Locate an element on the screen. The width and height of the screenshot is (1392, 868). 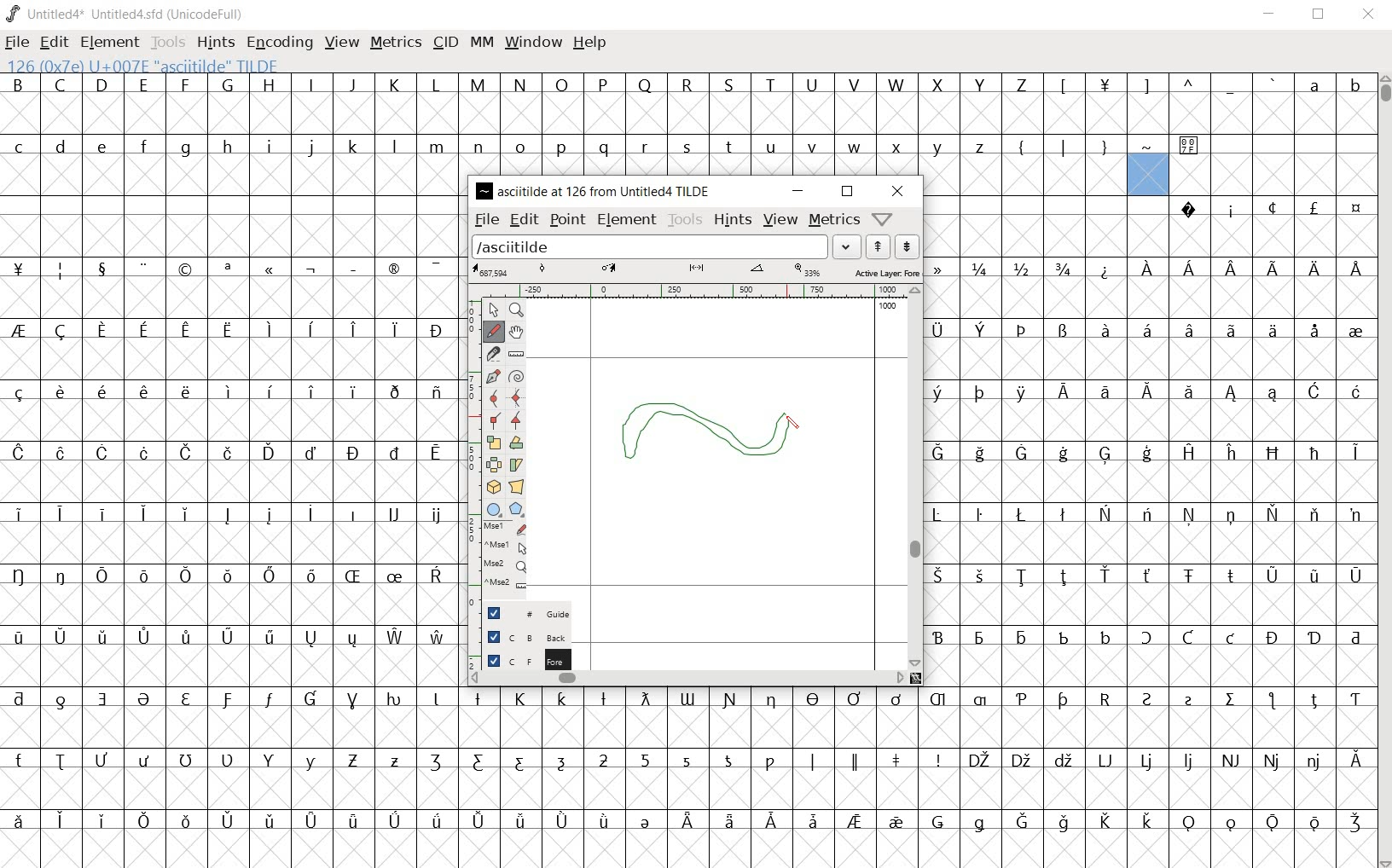
Add a corner point is located at coordinates (515, 421).